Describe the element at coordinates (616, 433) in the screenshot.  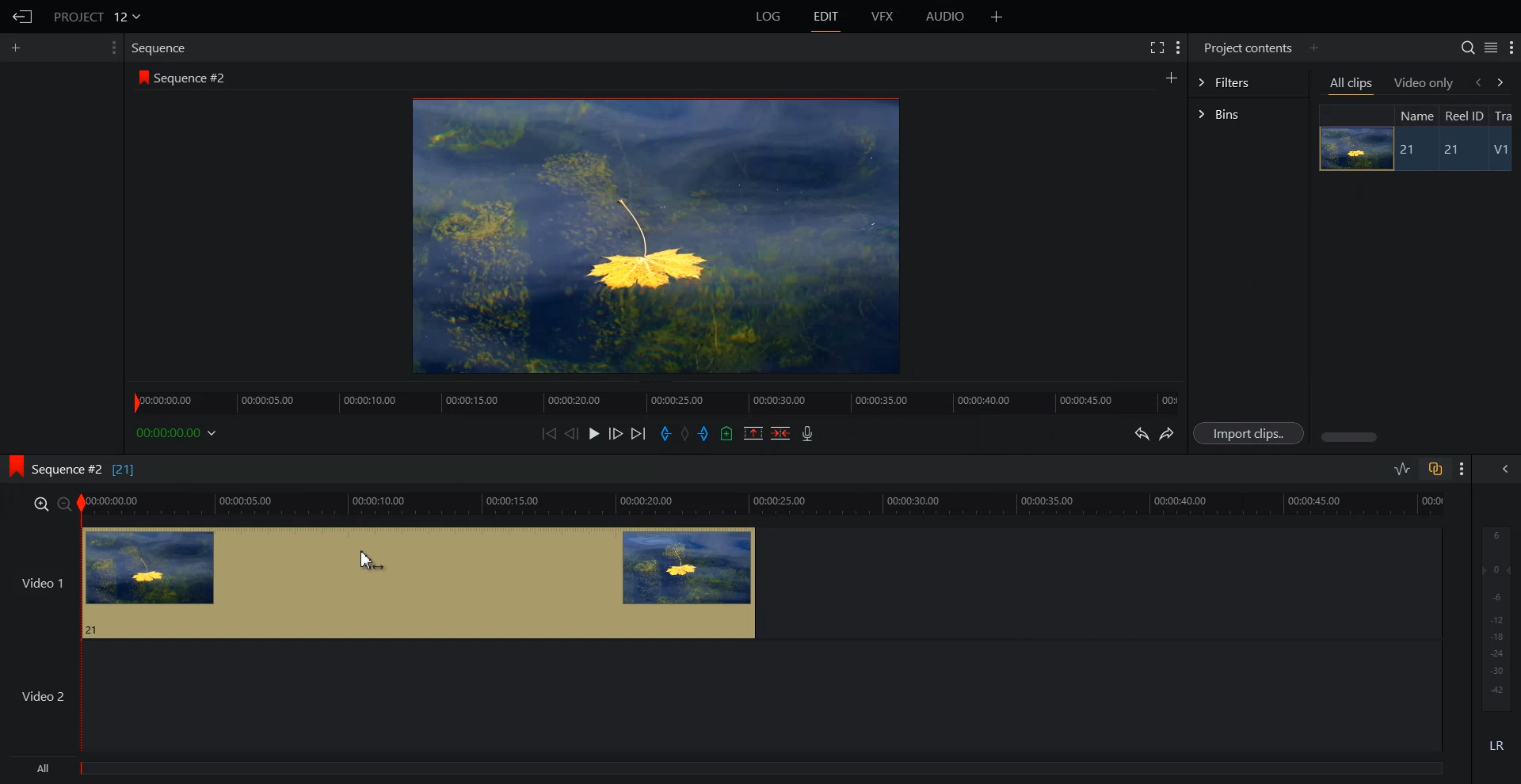
I see `Nurse one frame forward` at that location.